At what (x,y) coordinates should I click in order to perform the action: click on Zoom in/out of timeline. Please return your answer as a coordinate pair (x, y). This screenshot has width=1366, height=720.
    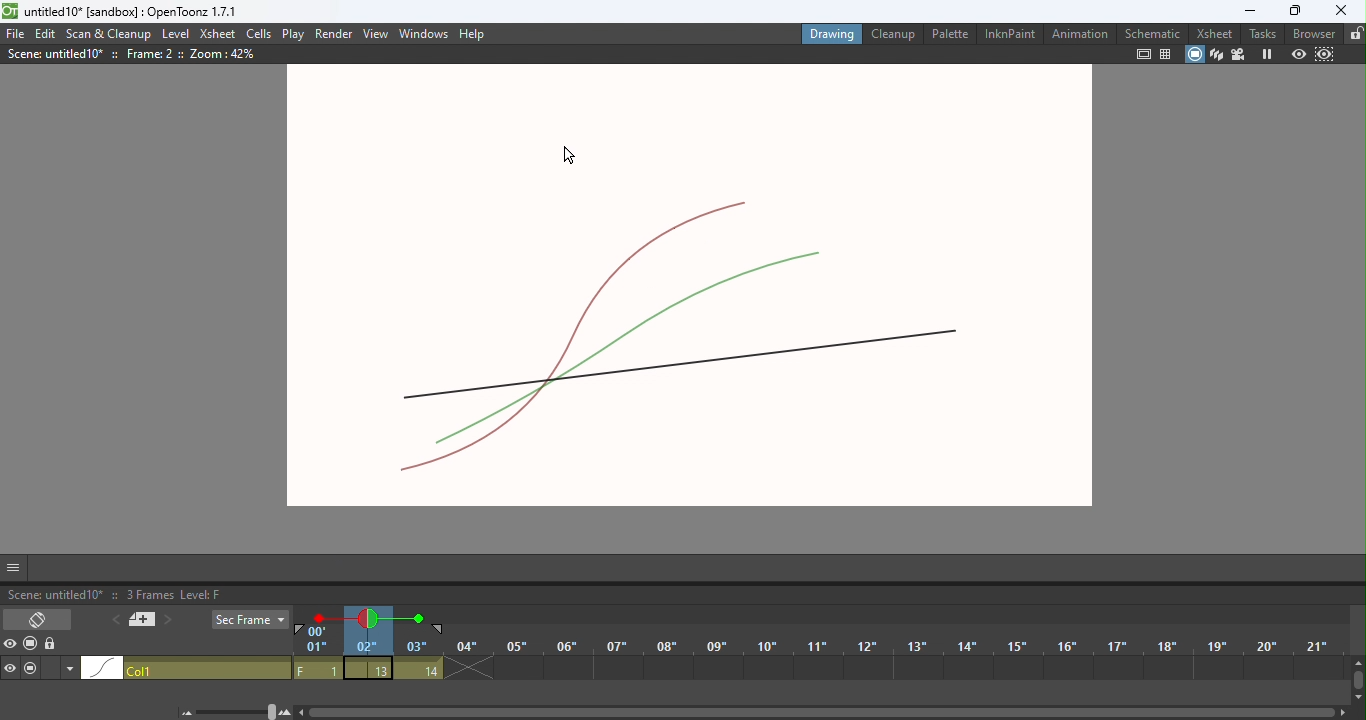
    Looking at the image, I should click on (238, 711).